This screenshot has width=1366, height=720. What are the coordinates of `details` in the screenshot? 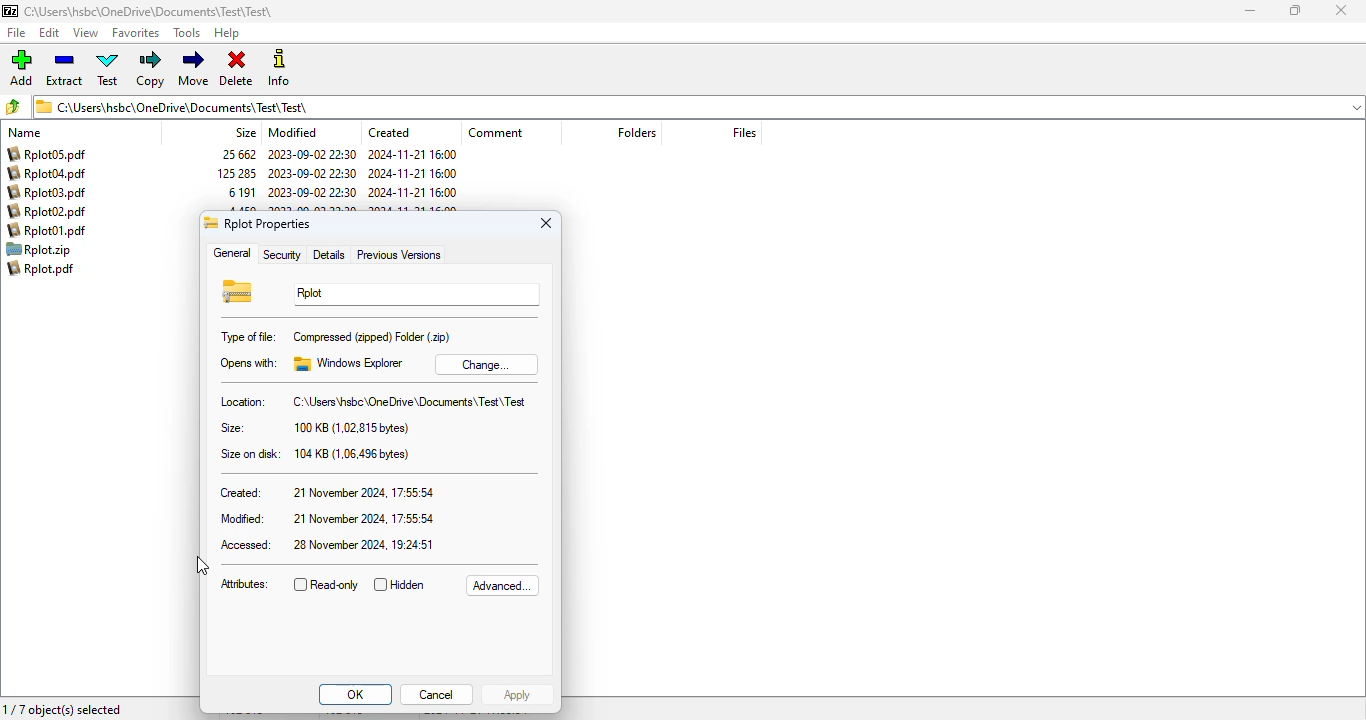 It's located at (329, 255).